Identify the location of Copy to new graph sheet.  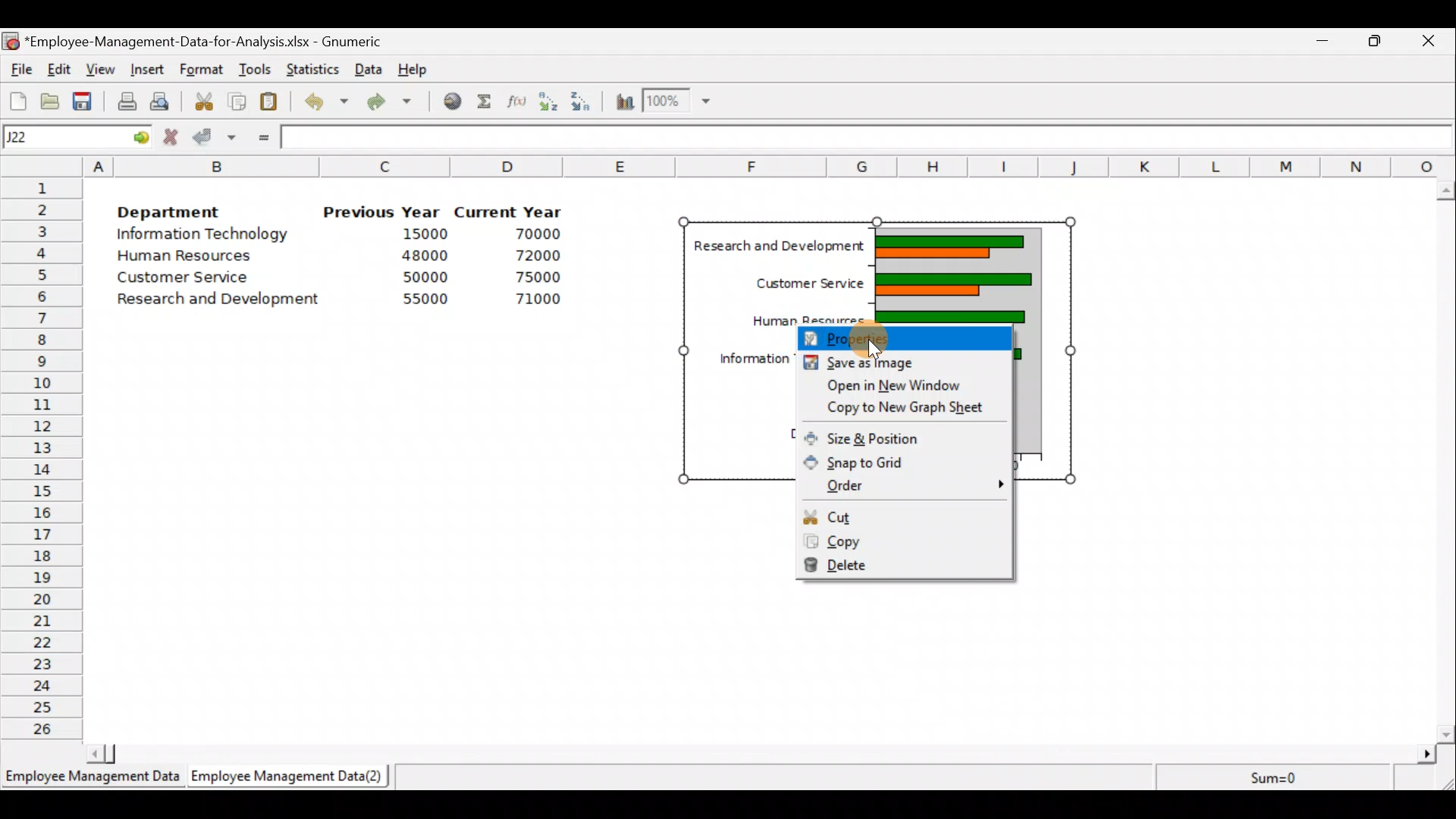
(907, 406).